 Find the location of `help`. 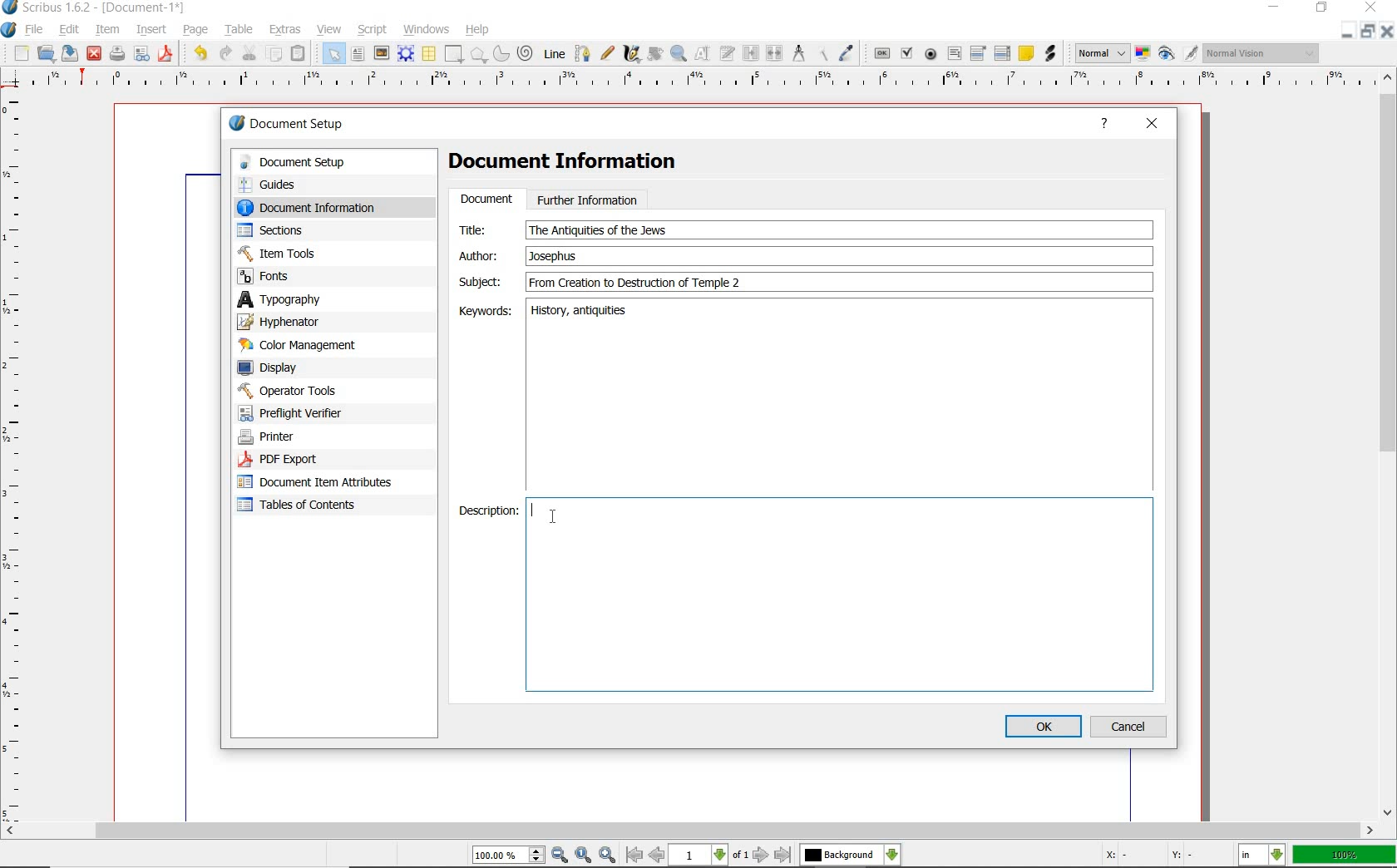

help is located at coordinates (480, 28).